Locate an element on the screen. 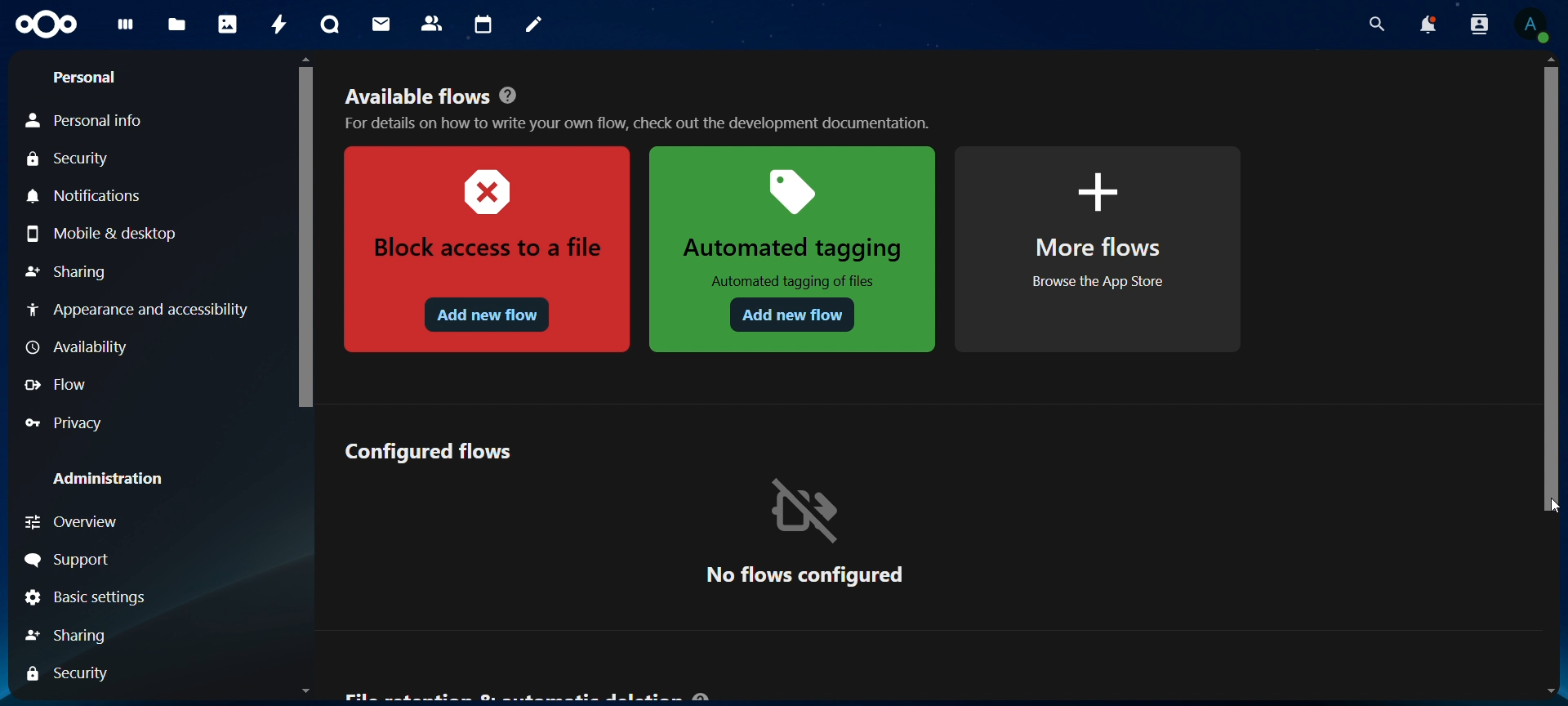 The height and width of the screenshot is (706, 1568). security is located at coordinates (73, 160).